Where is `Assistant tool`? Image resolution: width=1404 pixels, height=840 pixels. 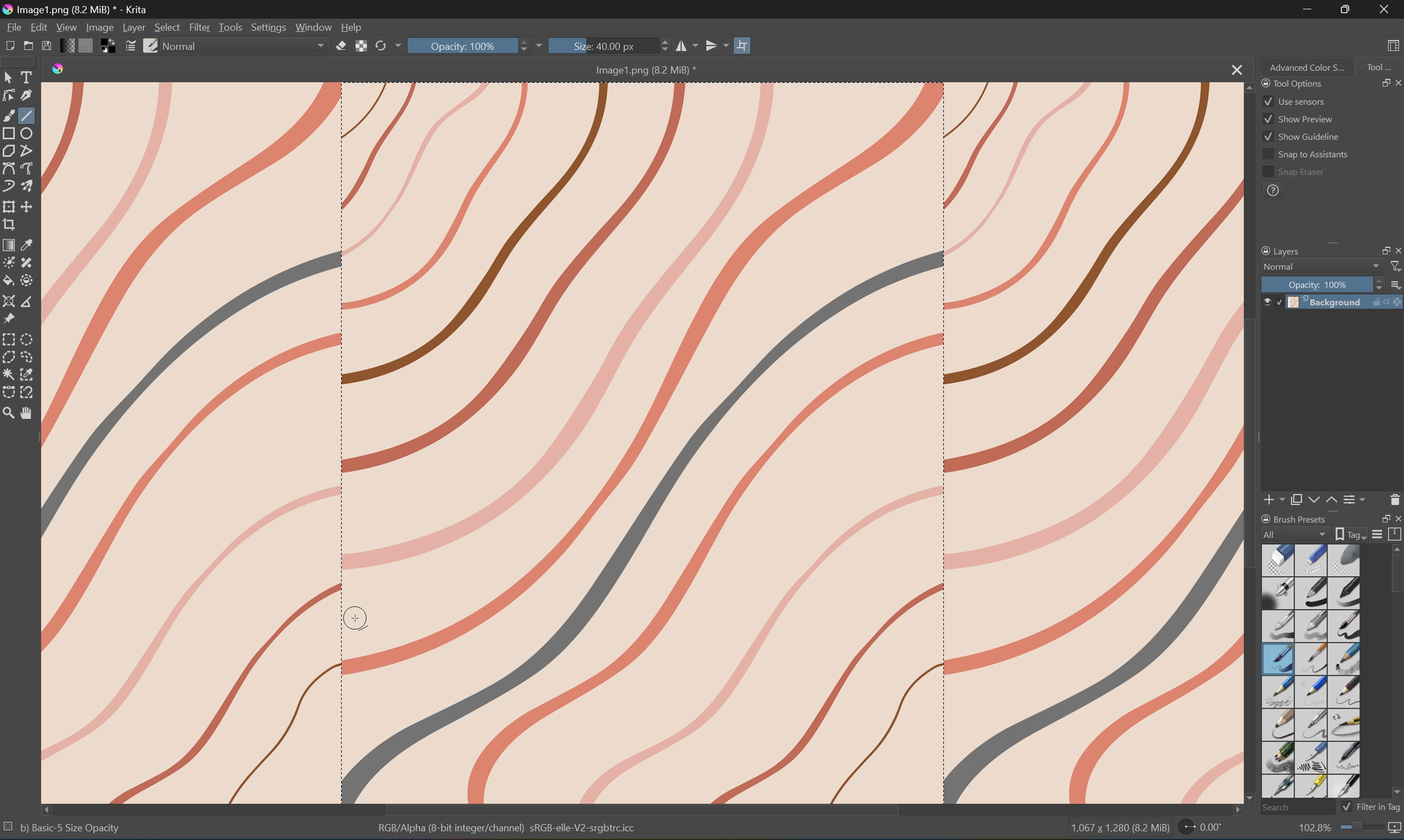 Assistant tool is located at coordinates (10, 302).